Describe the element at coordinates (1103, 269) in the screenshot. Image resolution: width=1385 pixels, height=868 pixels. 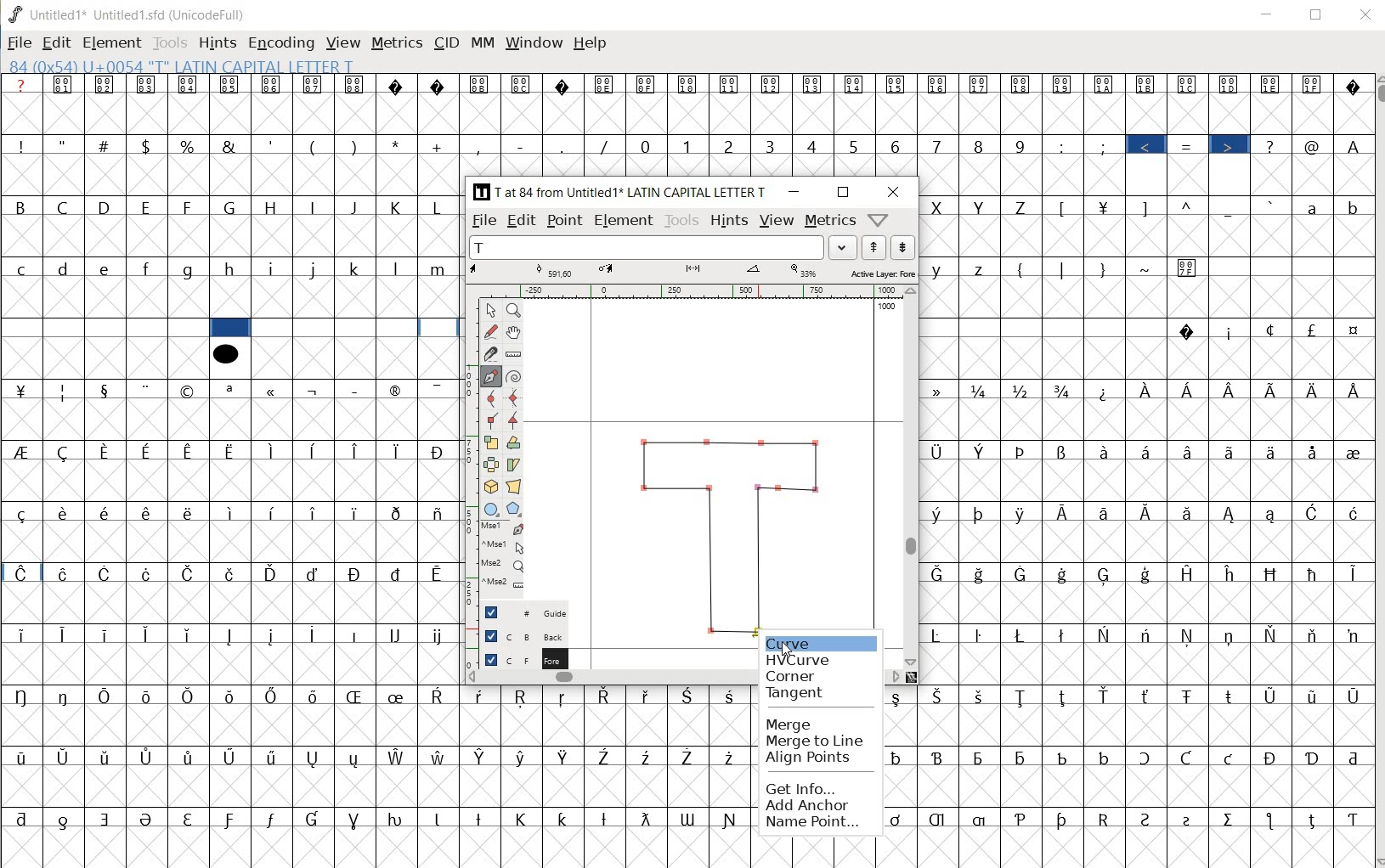
I see `)` at that location.